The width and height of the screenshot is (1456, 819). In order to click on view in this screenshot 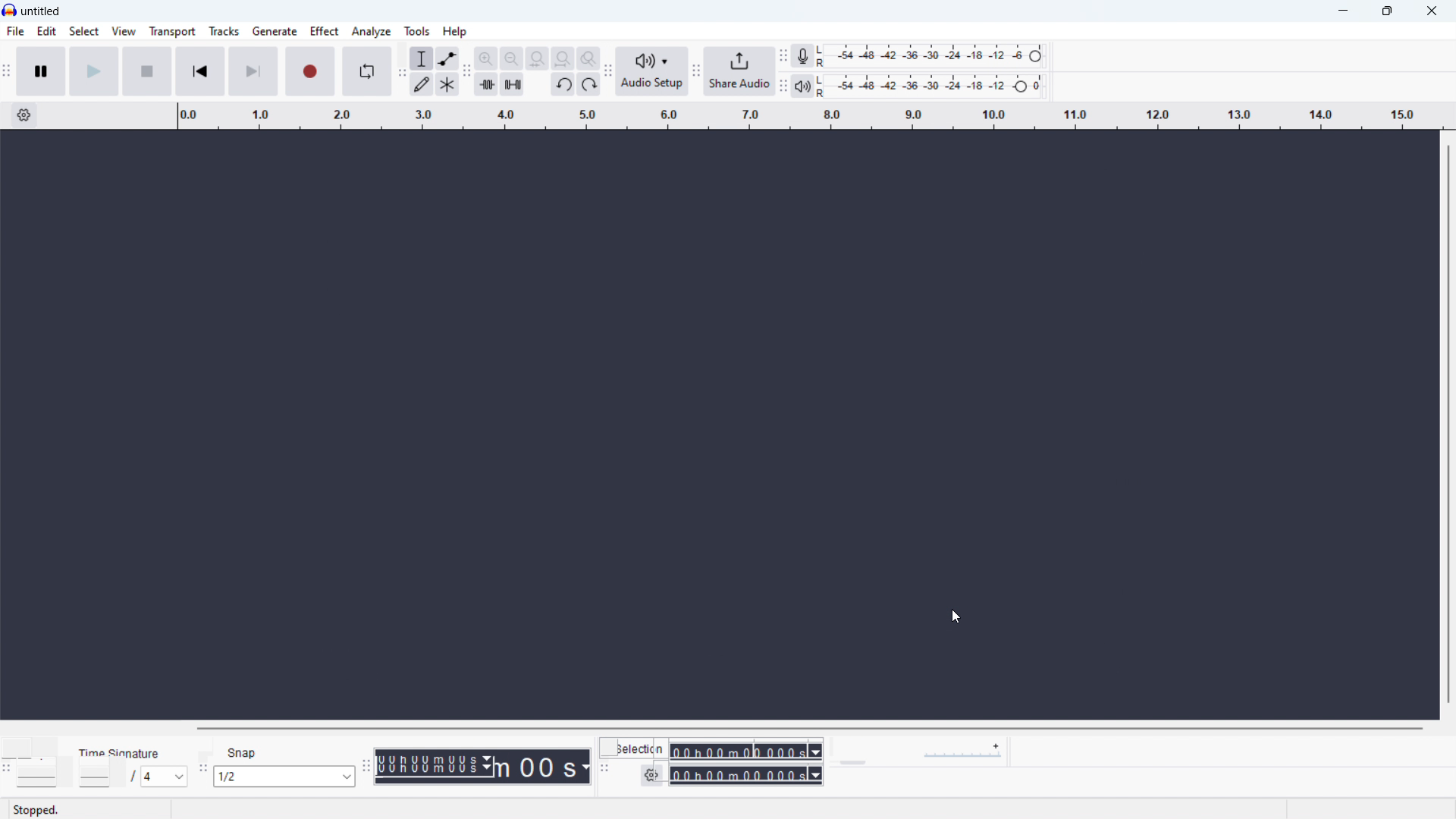, I will do `click(124, 31)`.